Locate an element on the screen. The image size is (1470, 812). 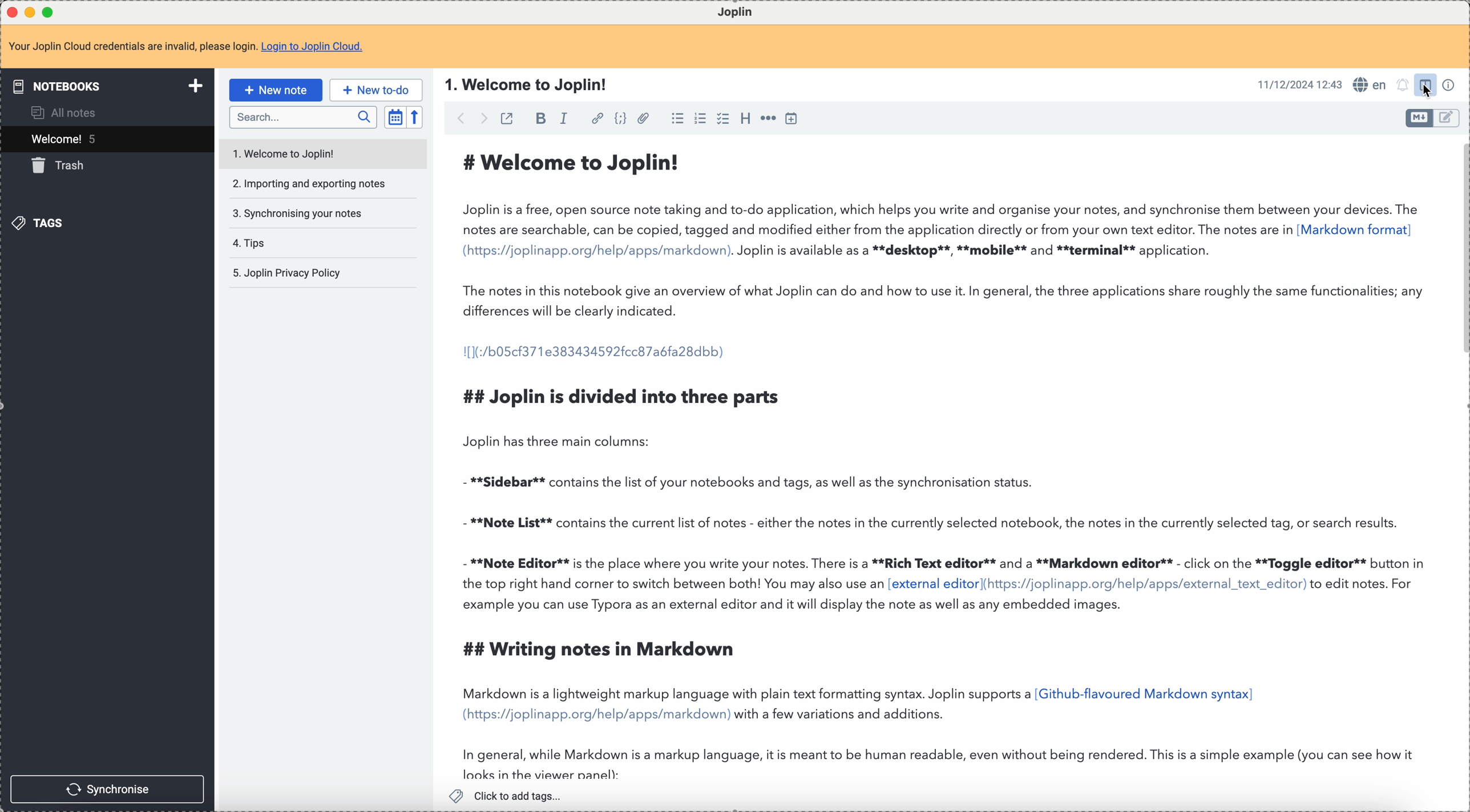
with a few variations and additions. is located at coordinates (841, 714).